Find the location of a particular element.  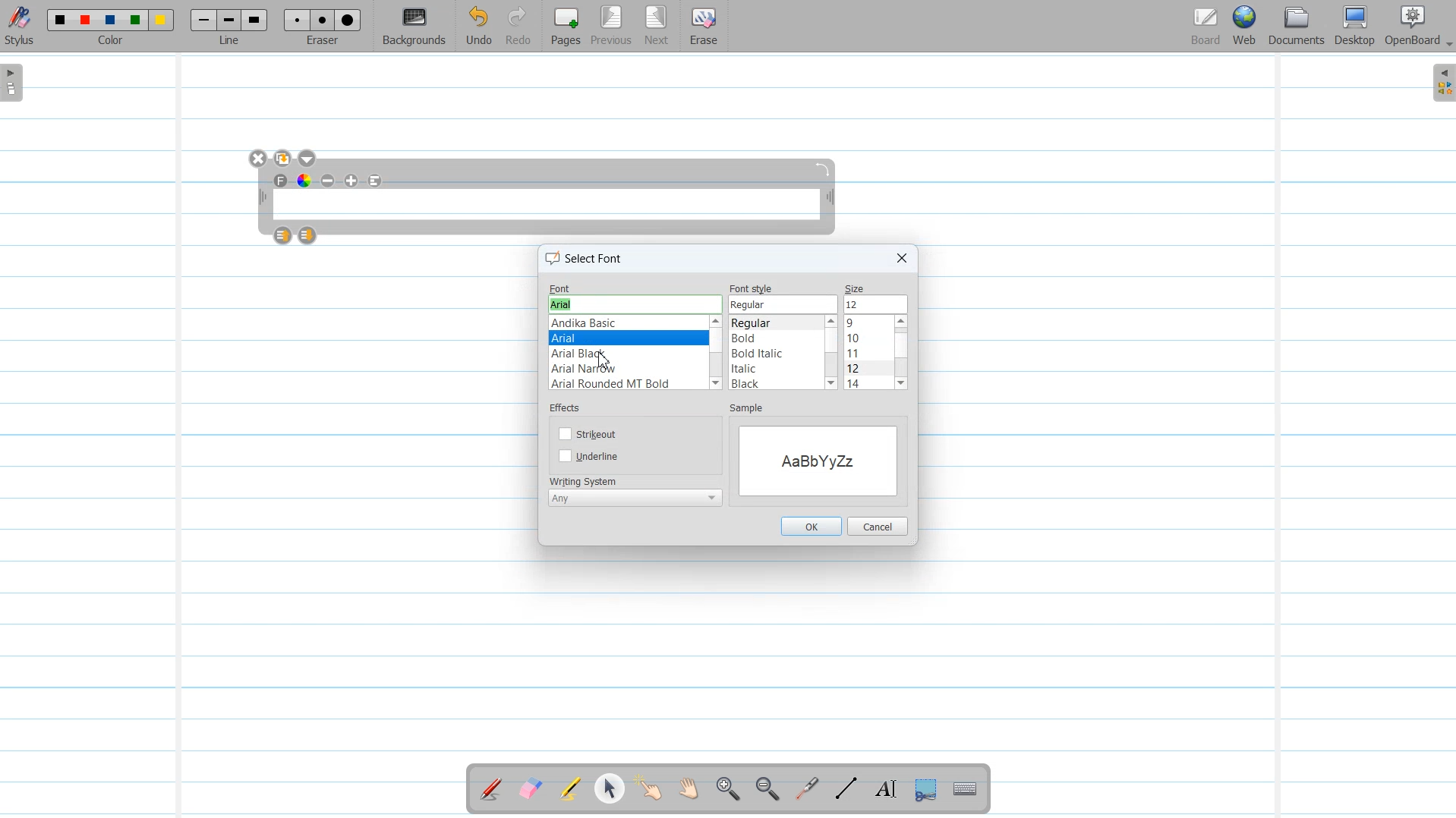

Zoom In is located at coordinates (727, 790).